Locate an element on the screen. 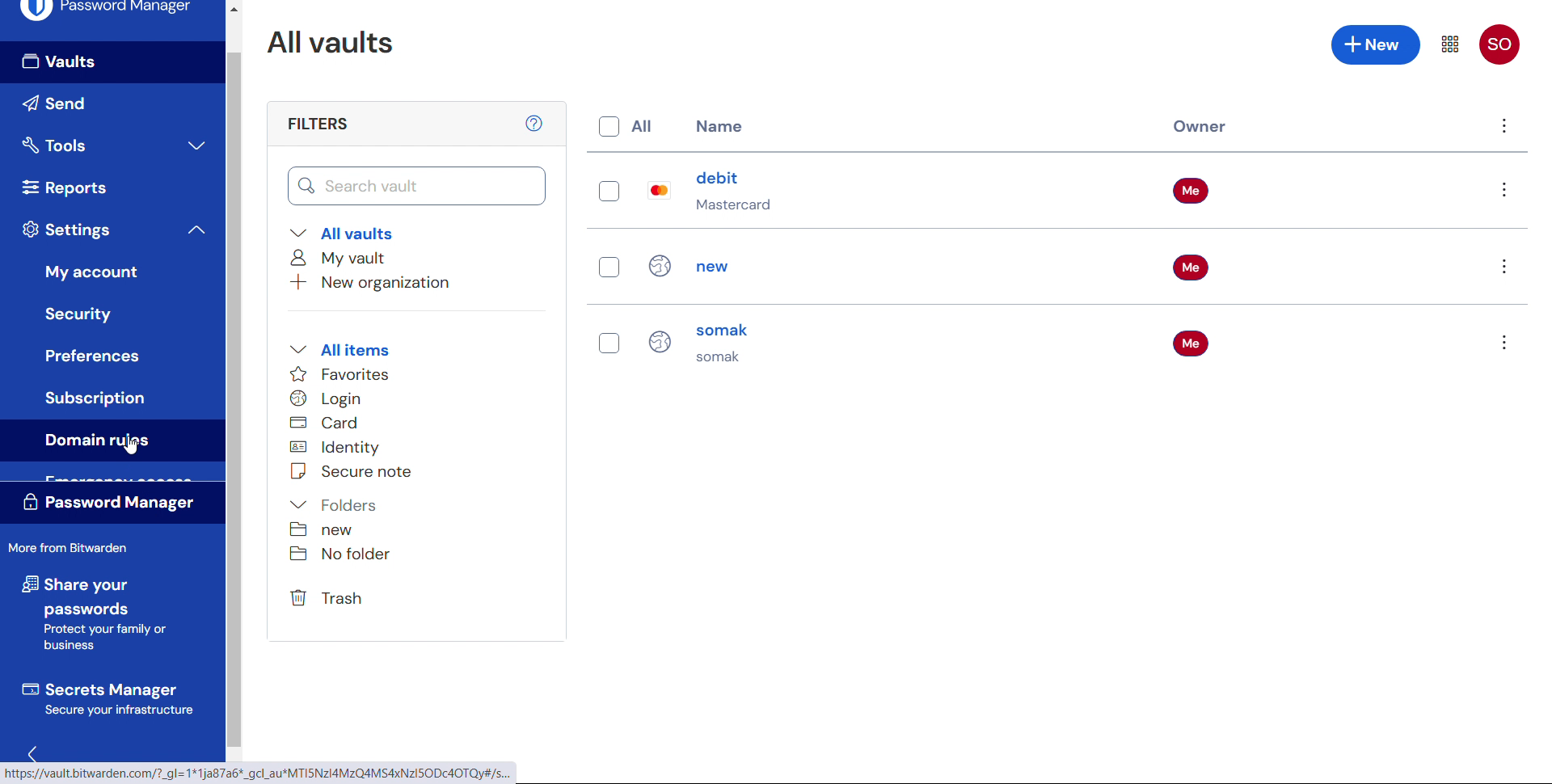 This screenshot has height=784, width=1552. Hide sidebar  is located at coordinates (33, 756).